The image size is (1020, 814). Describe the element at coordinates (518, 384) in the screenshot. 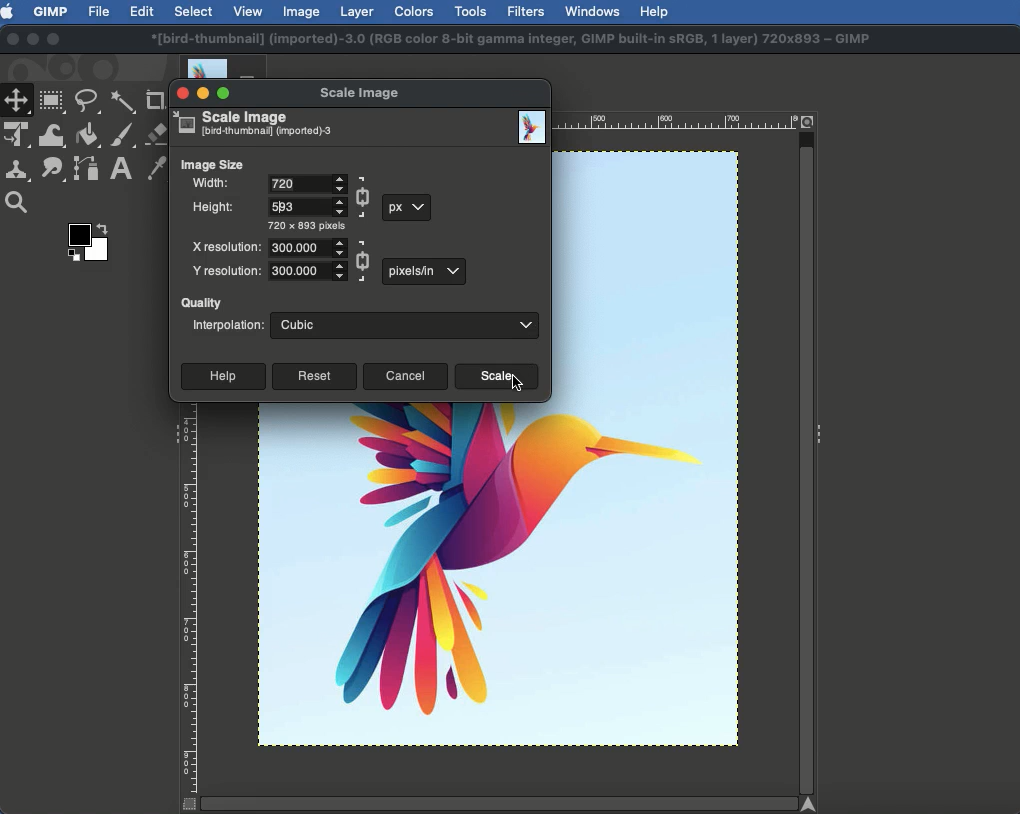

I see `cursor` at that location.